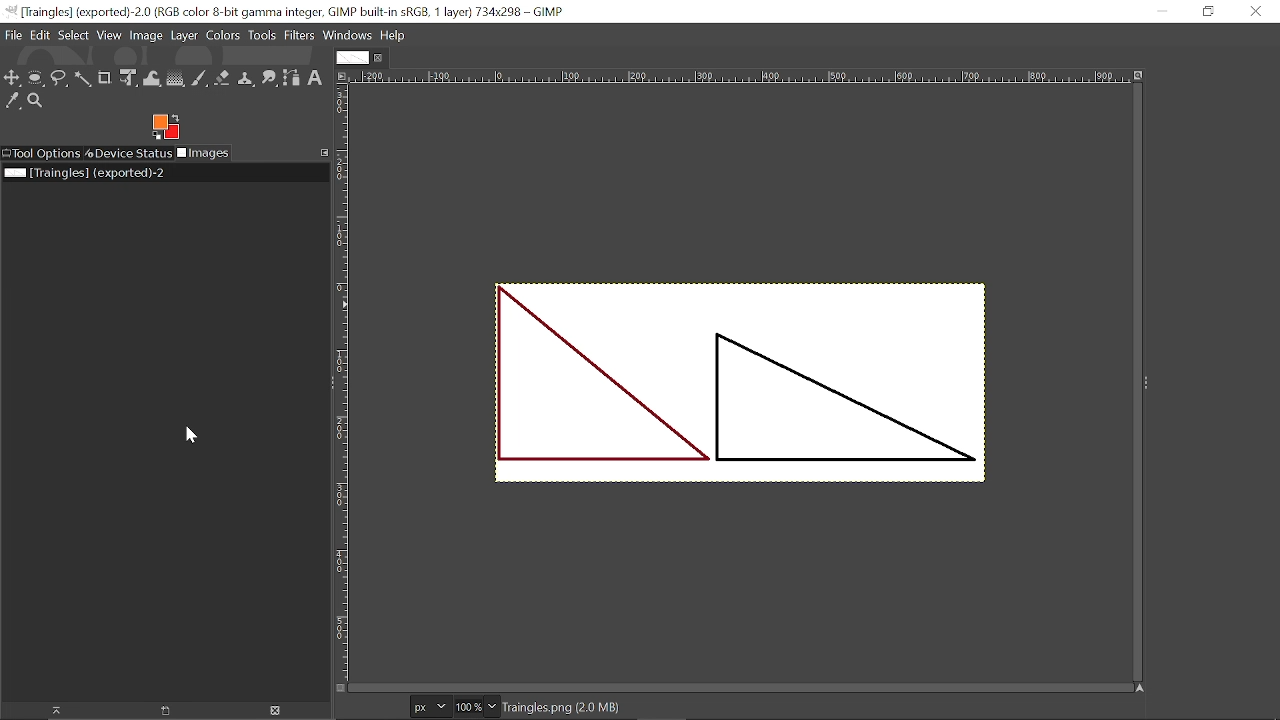  I want to click on Move tool, so click(13, 80).